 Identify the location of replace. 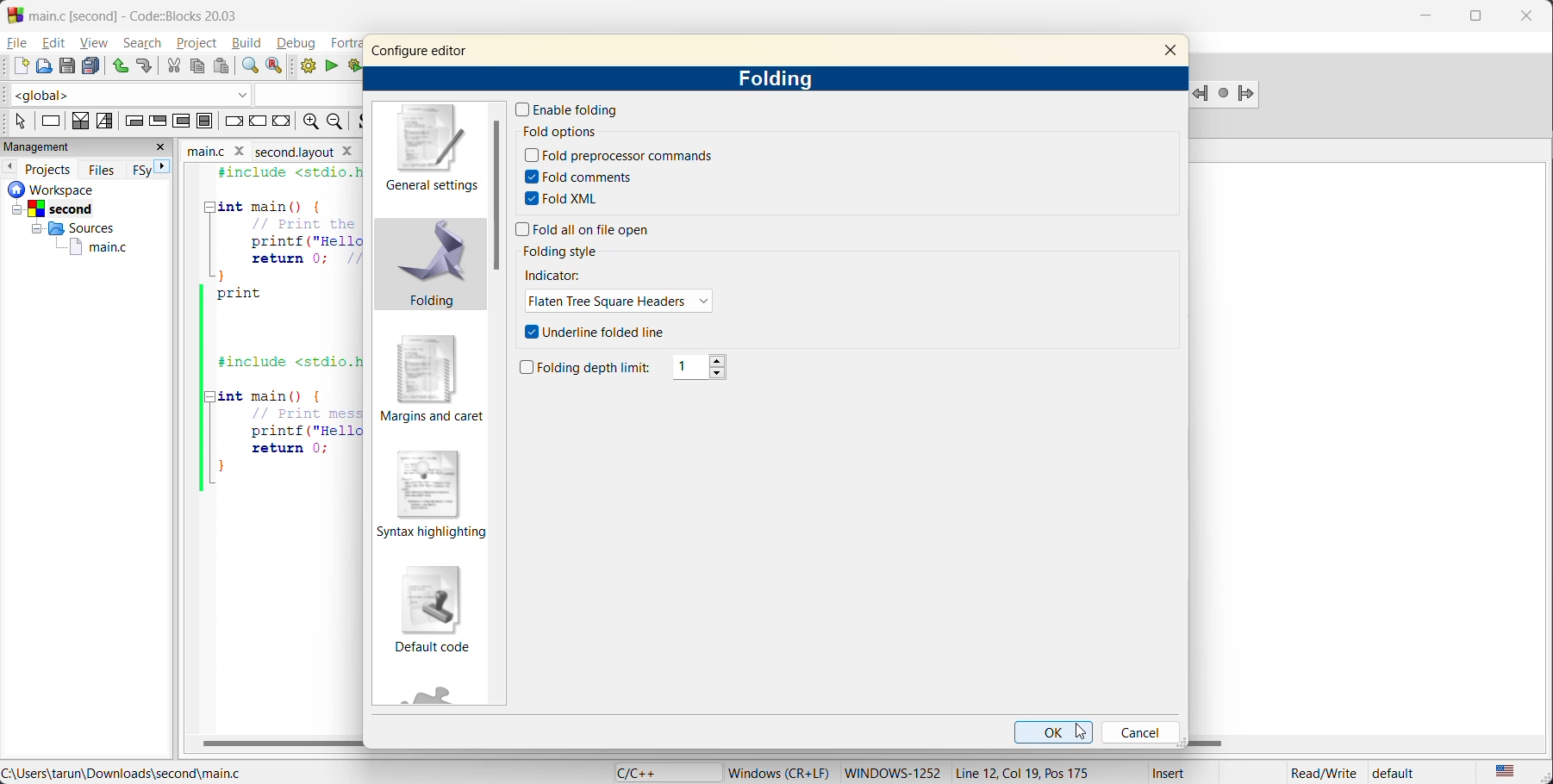
(275, 65).